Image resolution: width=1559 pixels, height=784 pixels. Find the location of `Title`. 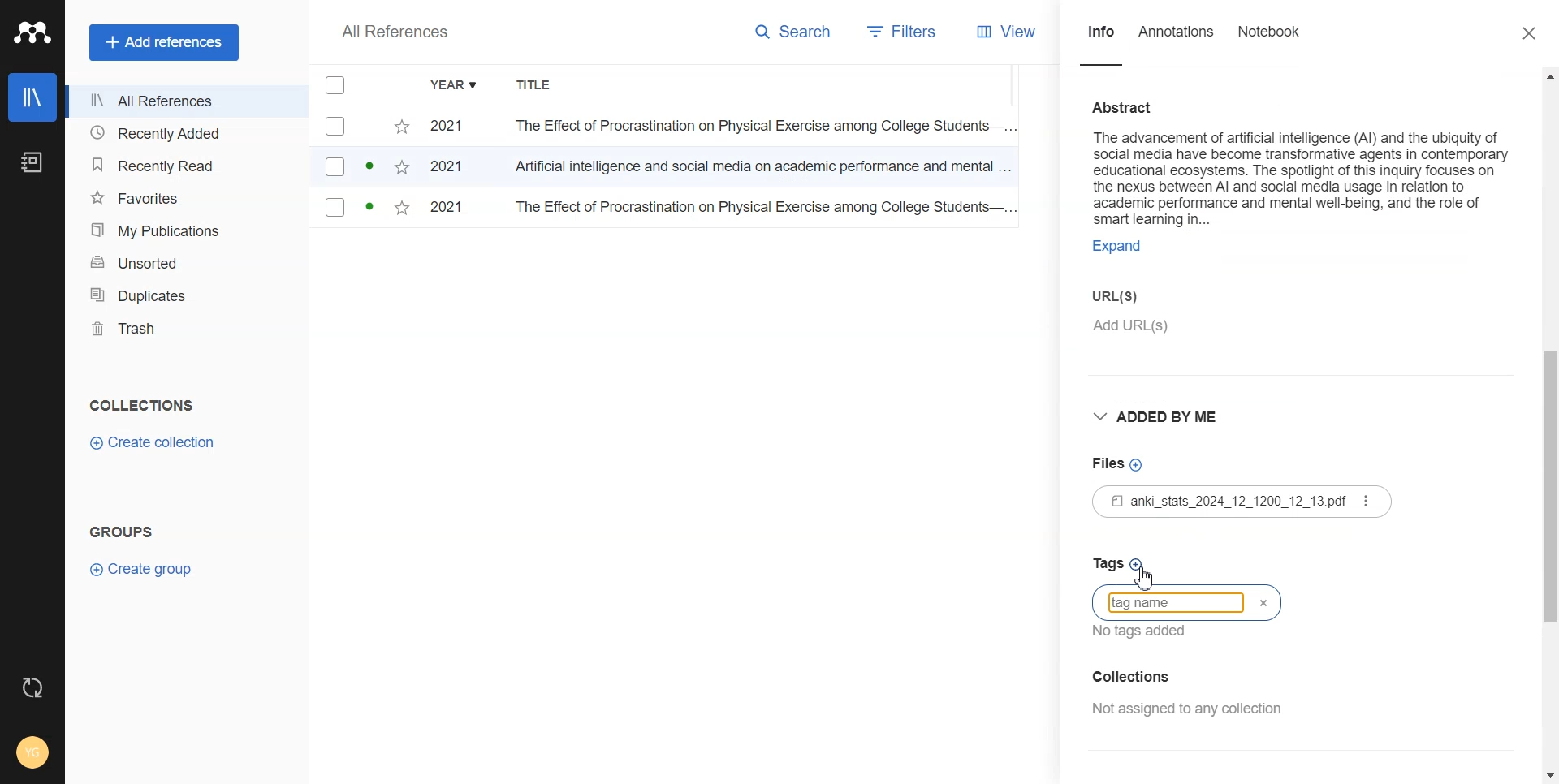

Title is located at coordinates (543, 86).